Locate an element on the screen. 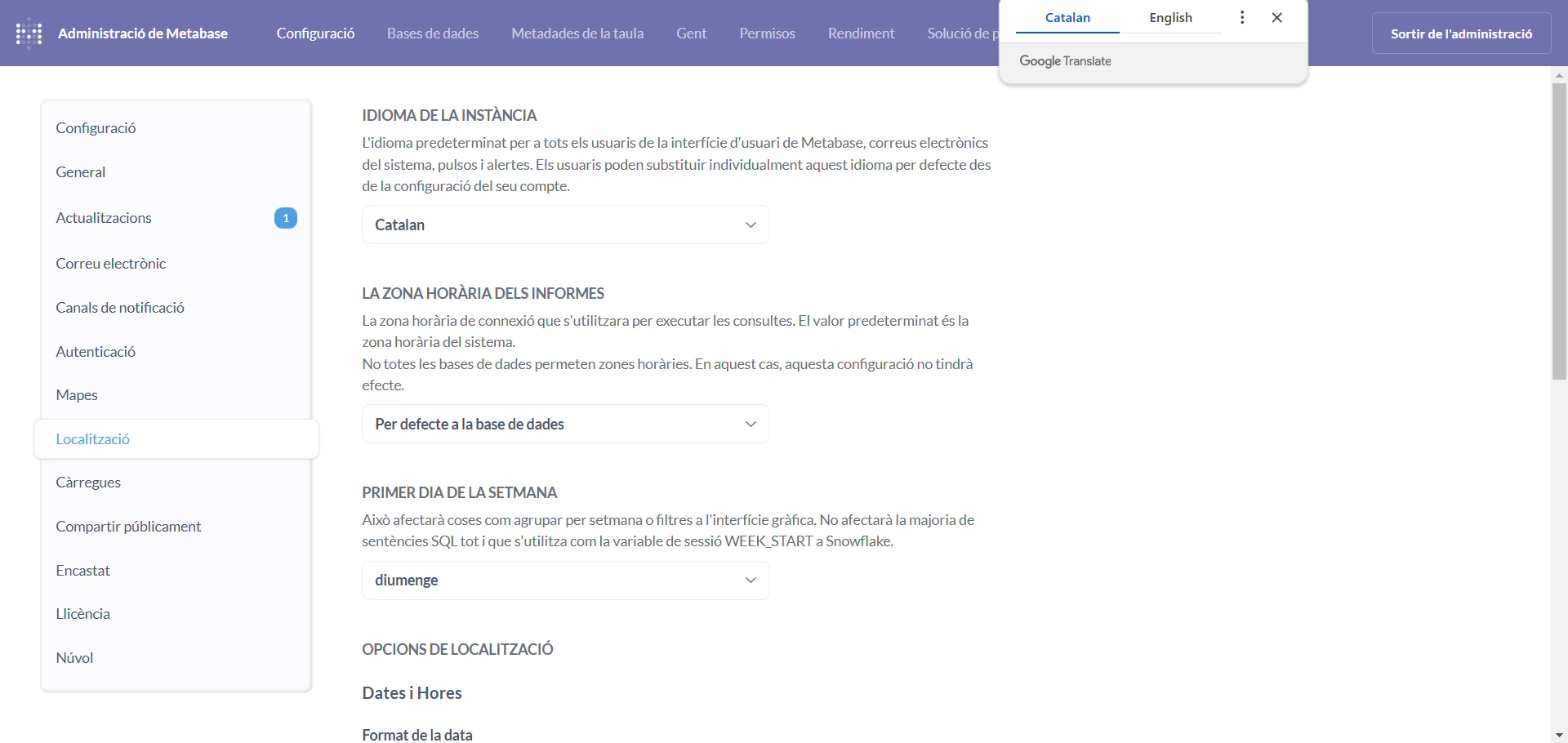 This screenshot has height=743, width=1568. Per defecte ala base de dades ~v is located at coordinates (564, 425).